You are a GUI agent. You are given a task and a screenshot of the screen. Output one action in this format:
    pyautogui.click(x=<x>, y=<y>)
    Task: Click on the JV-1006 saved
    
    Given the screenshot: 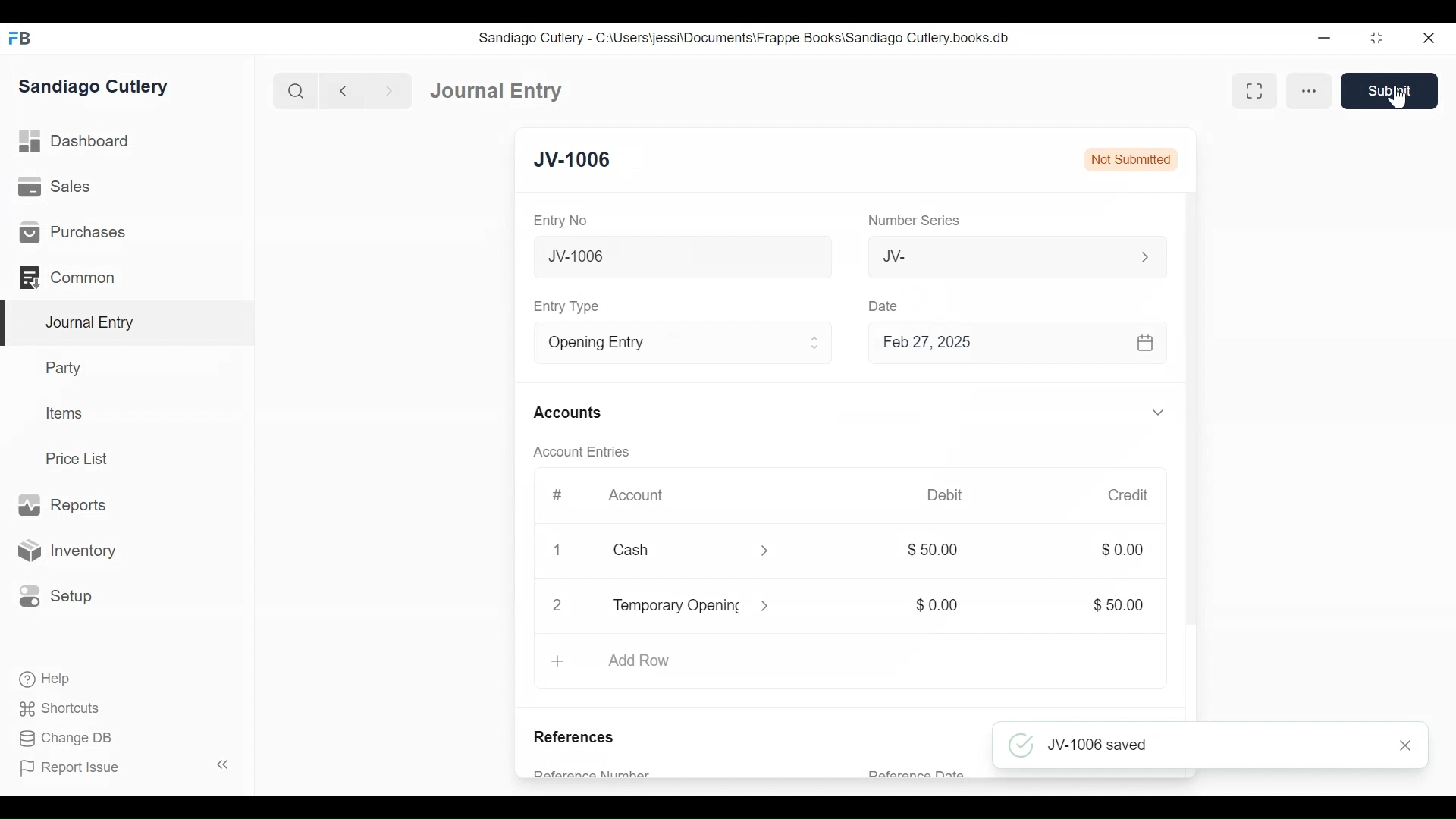 What is the action you would take?
    pyautogui.click(x=1190, y=746)
    